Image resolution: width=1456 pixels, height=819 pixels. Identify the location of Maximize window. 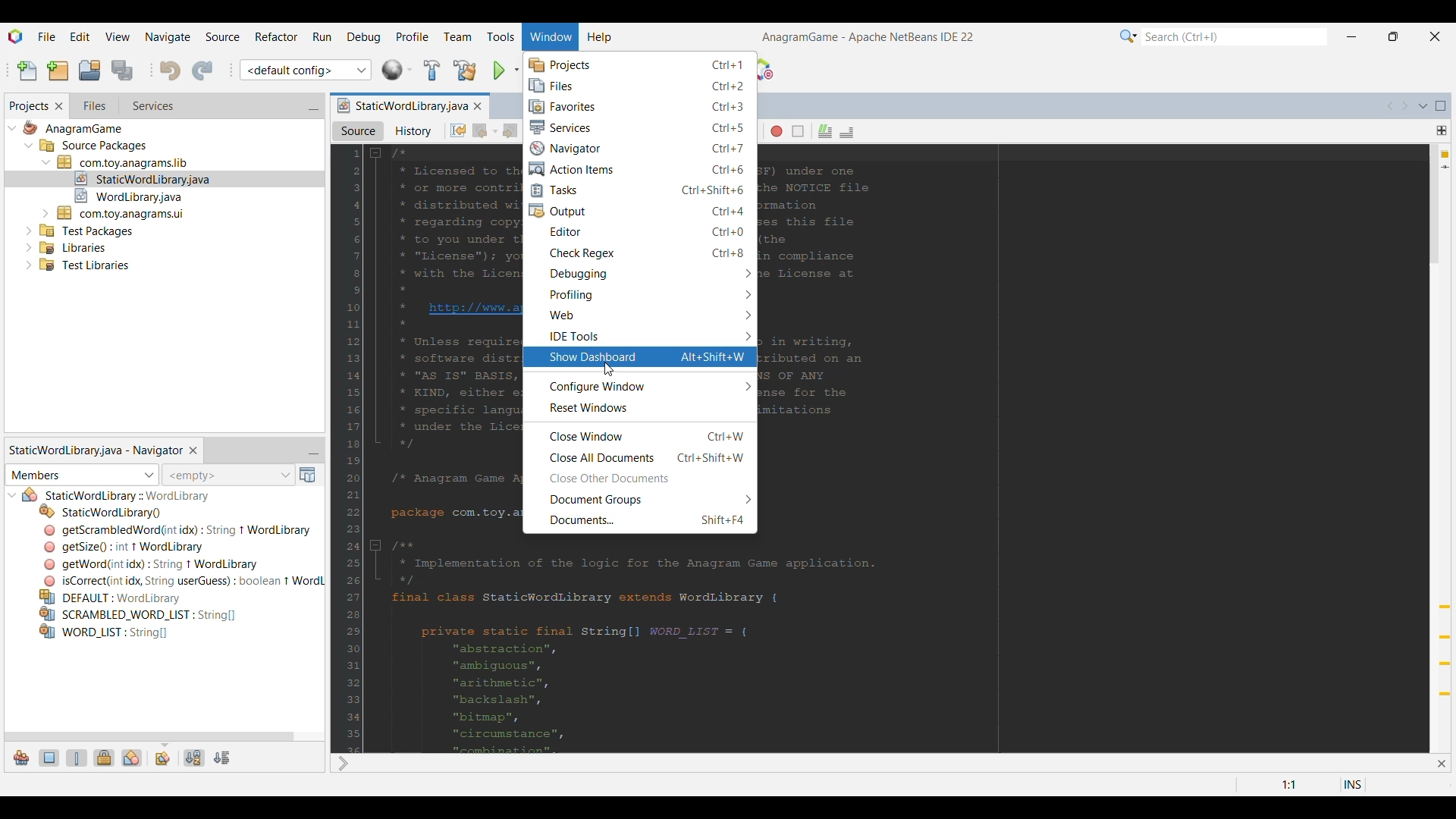
(1441, 106).